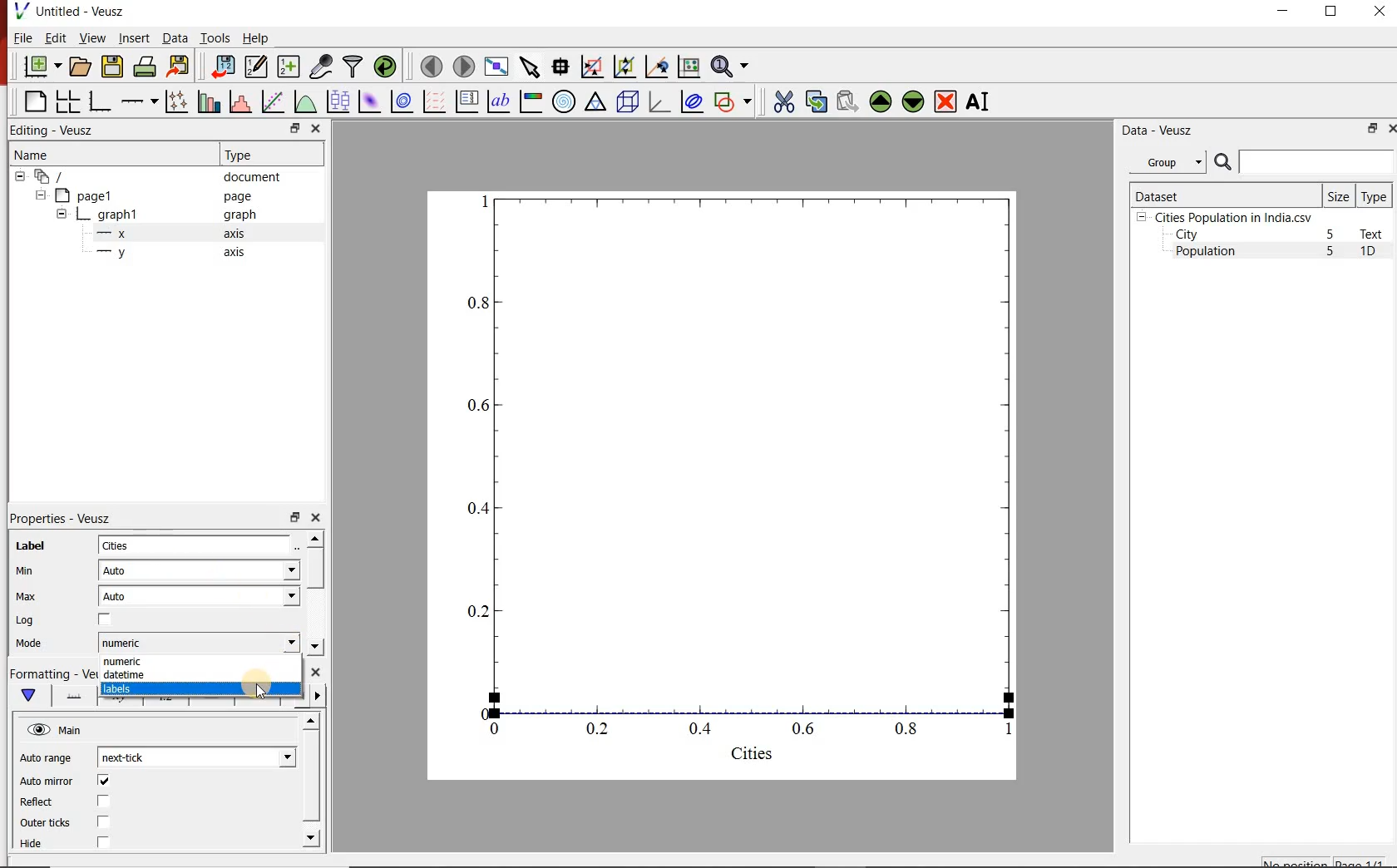 The image size is (1397, 868). I want to click on fit a function to data, so click(272, 101).